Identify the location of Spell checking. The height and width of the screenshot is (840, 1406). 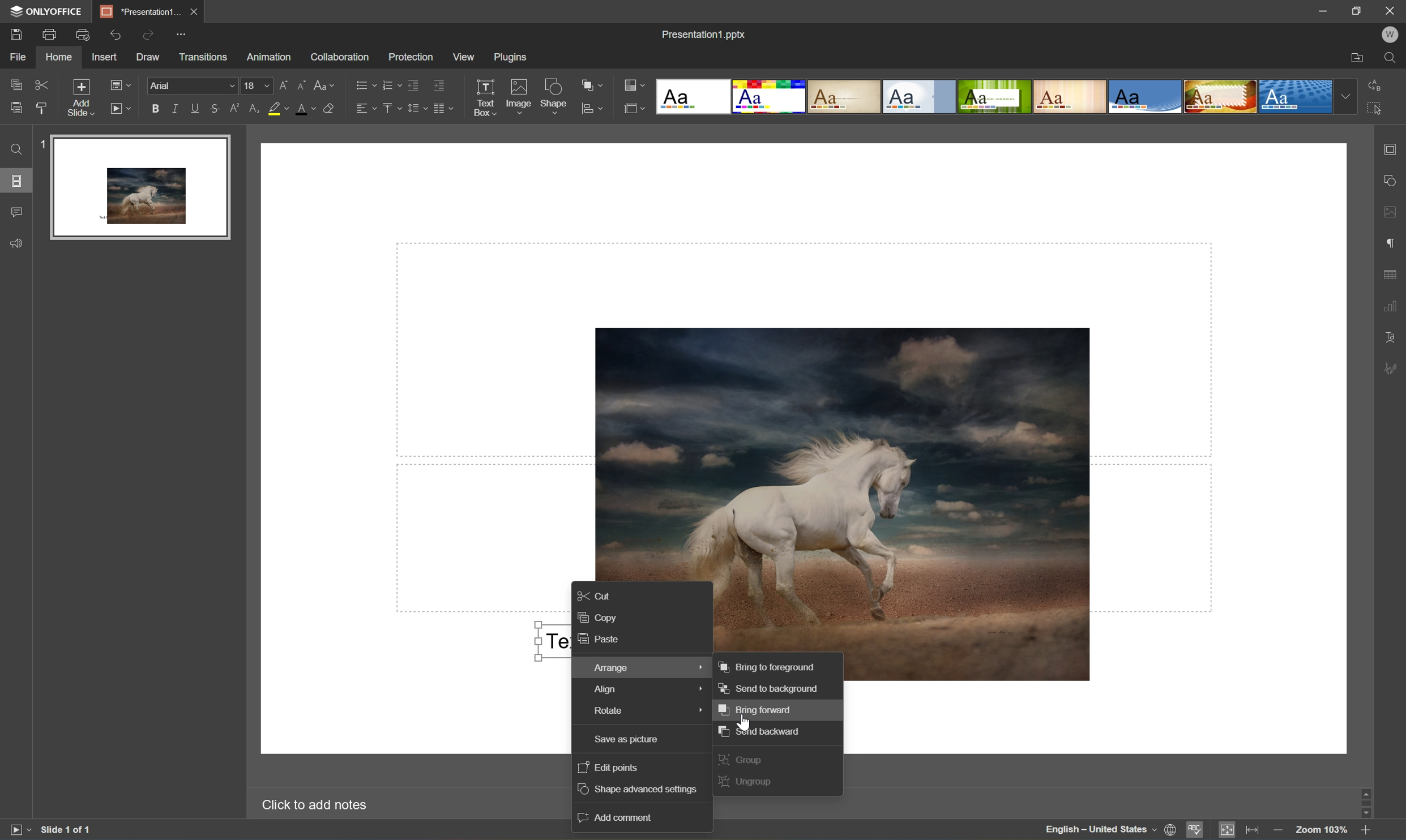
(1194, 829).